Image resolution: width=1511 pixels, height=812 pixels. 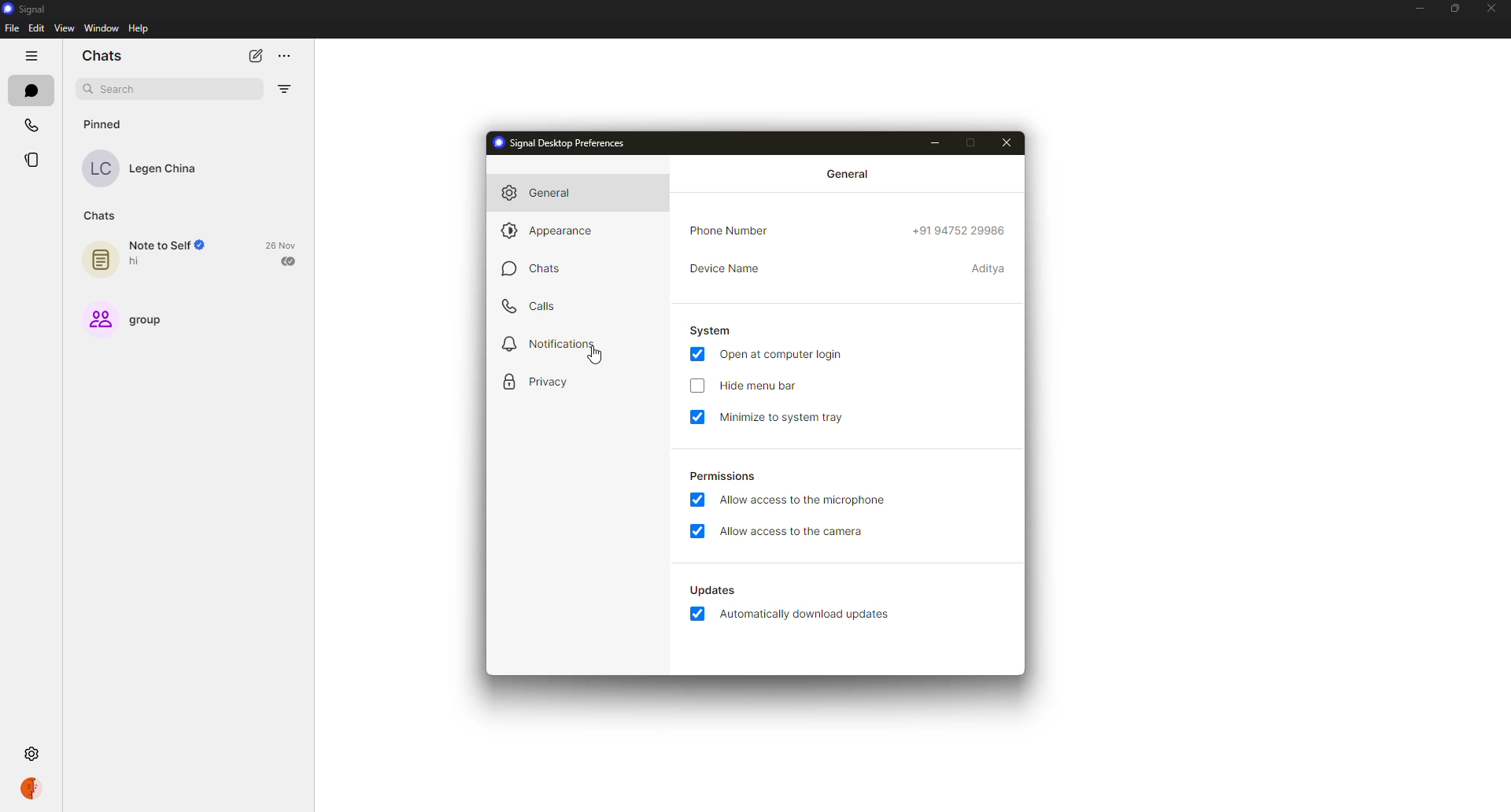 I want to click on sent, so click(x=289, y=261).